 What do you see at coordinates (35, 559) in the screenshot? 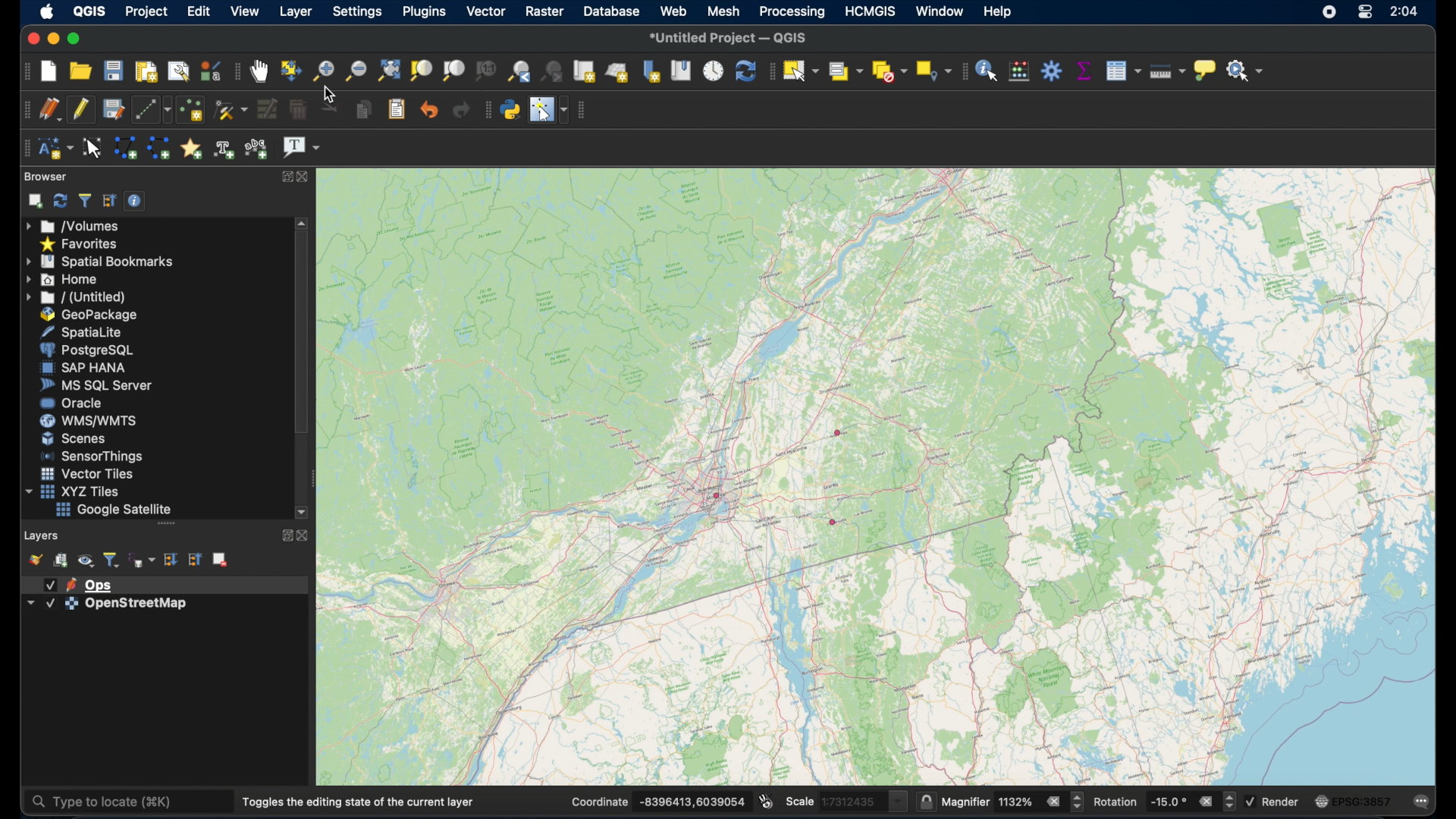
I see `open layer styling panel` at bounding box center [35, 559].